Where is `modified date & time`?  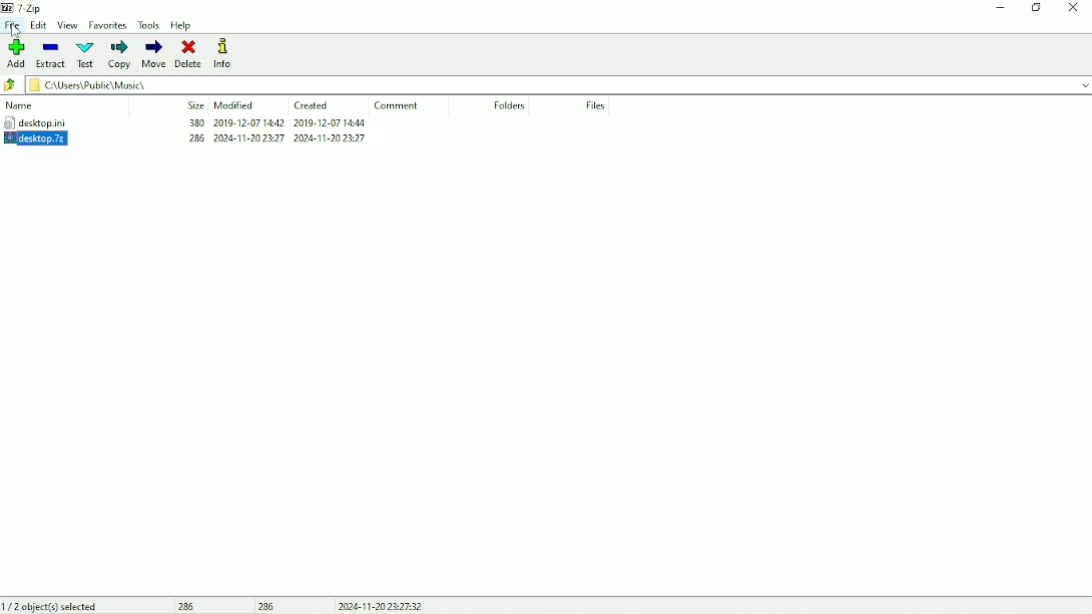
modified date & time is located at coordinates (248, 123).